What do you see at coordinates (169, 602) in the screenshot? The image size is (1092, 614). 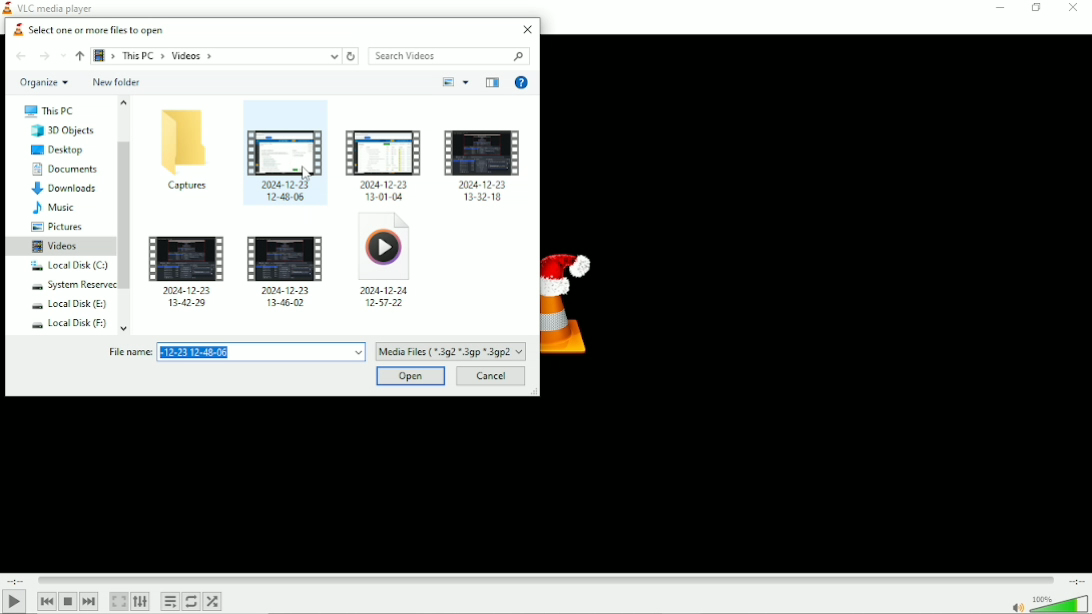 I see `Toggle playlist` at bounding box center [169, 602].